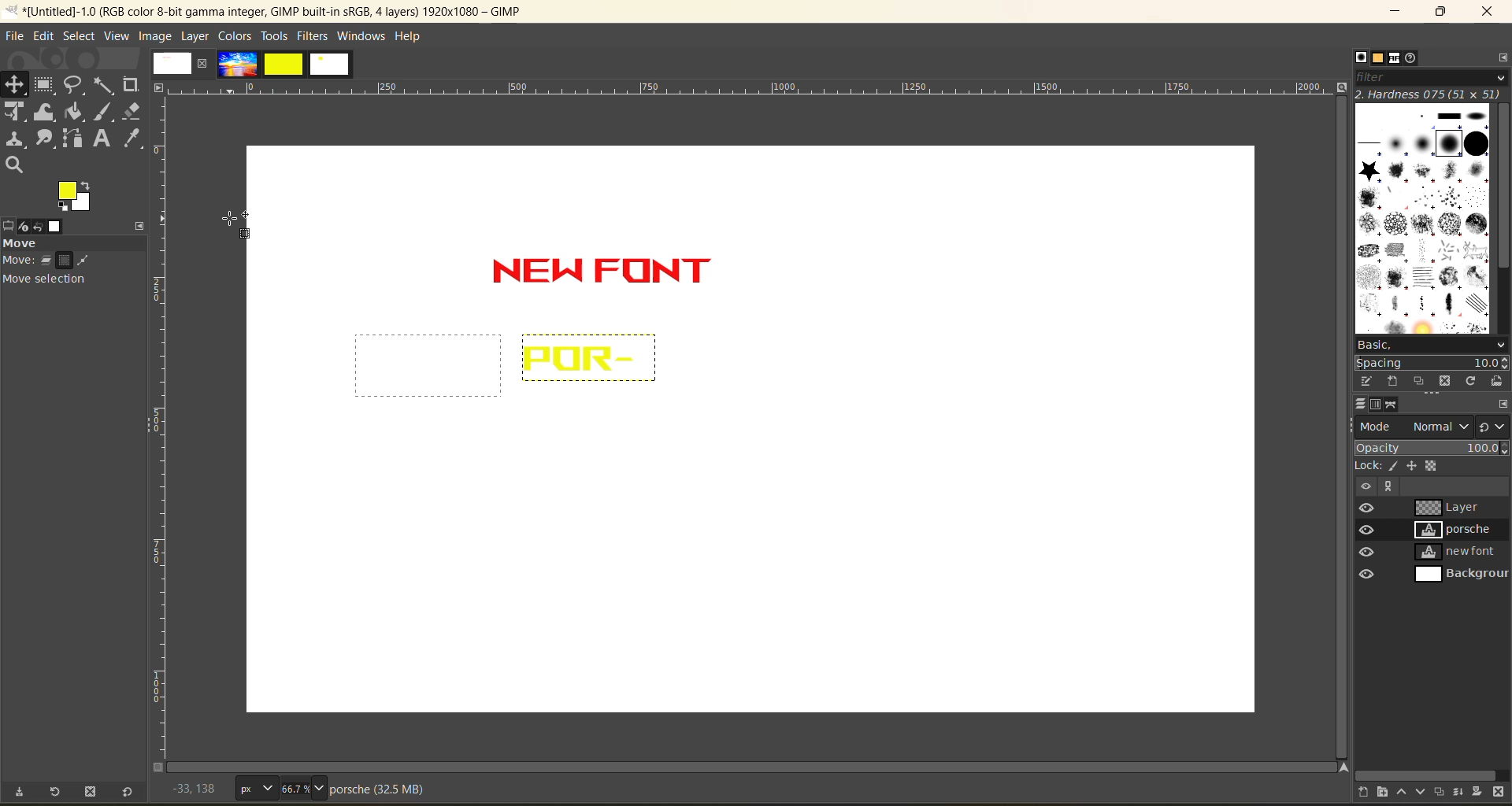 The image size is (1512, 806). I want to click on select, so click(78, 39).